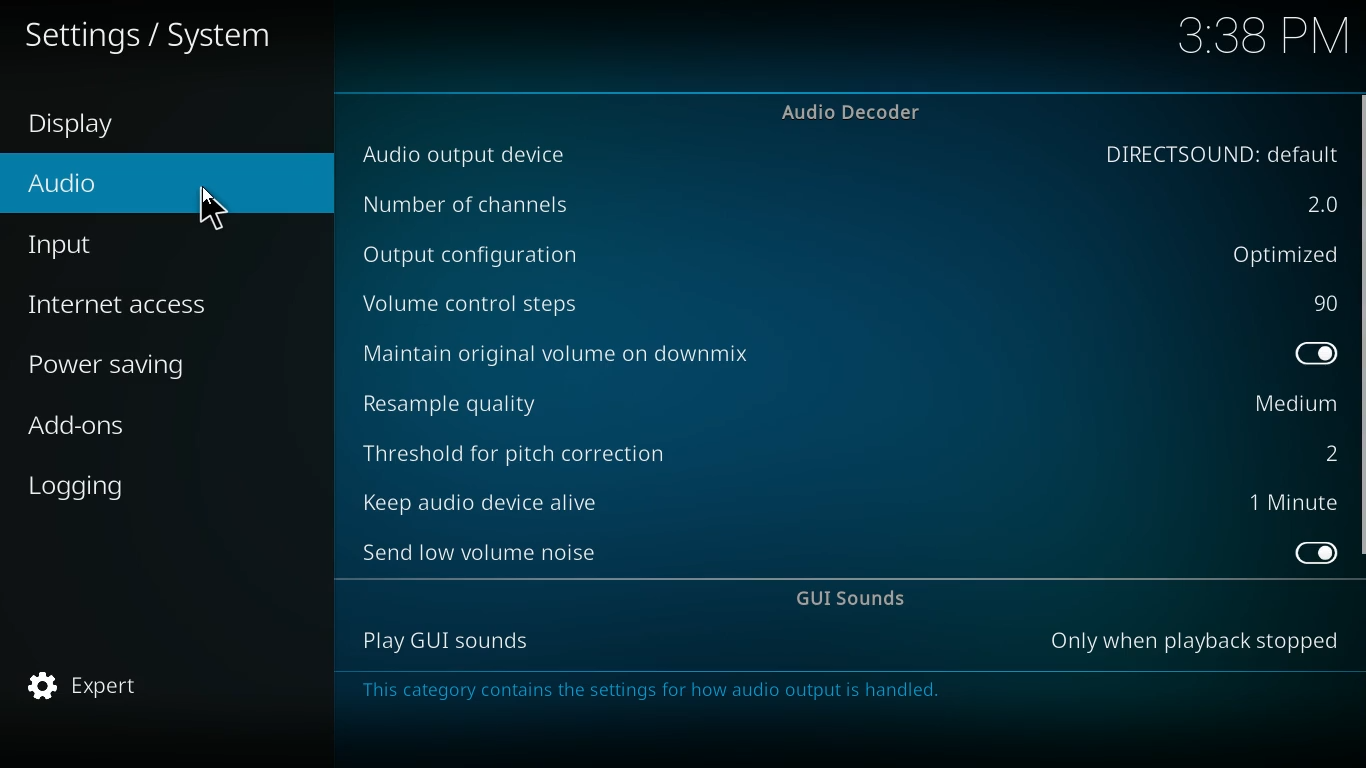  I want to click on number of channels, so click(488, 206).